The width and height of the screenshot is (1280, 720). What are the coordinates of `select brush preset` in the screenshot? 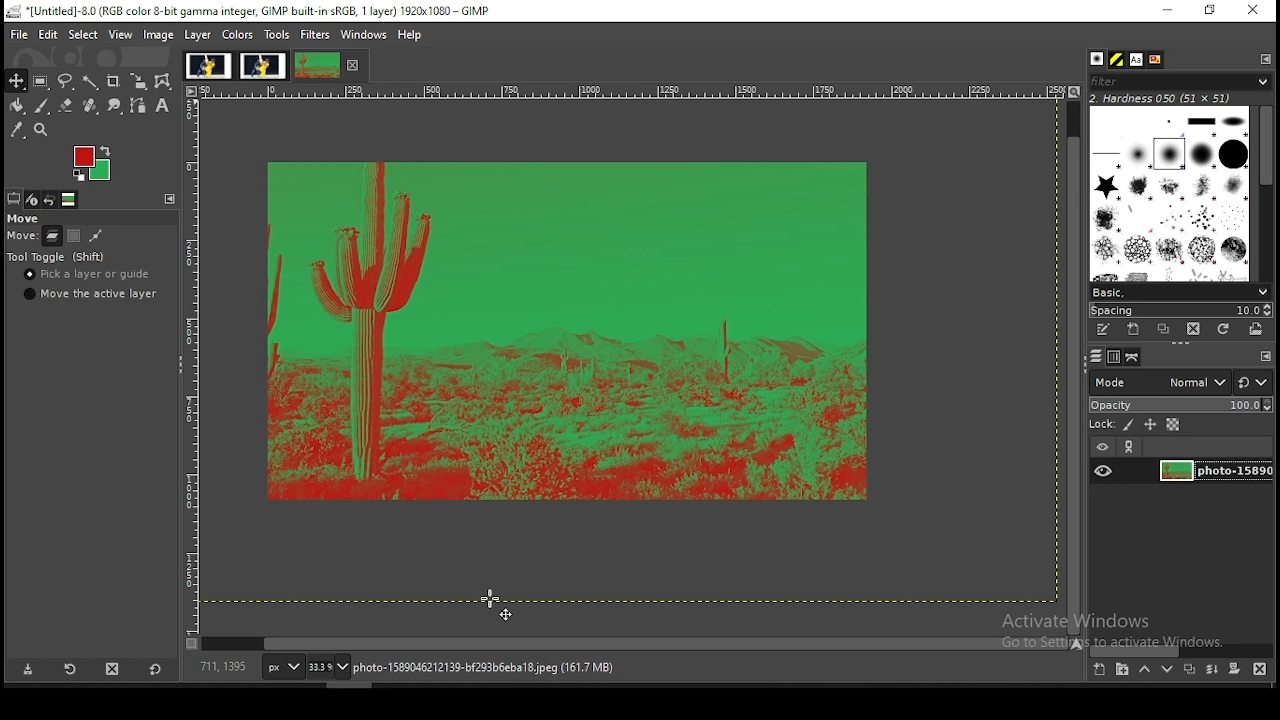 It's located at (1178, 291).